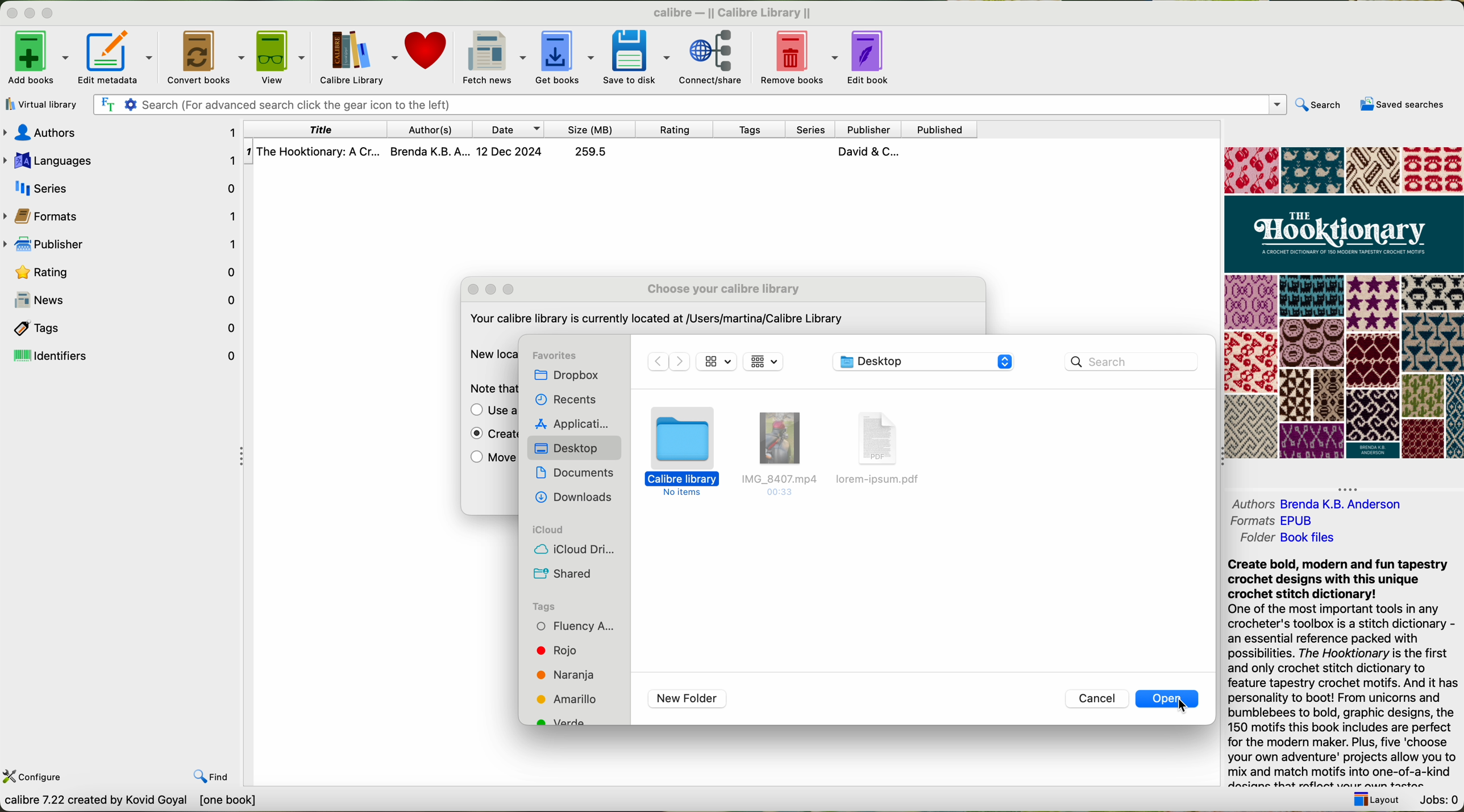 This screenshot has height=812, width=1464. Describe the element at coordinates (868, 56) in the screenshot. I see `edit book` at that location.